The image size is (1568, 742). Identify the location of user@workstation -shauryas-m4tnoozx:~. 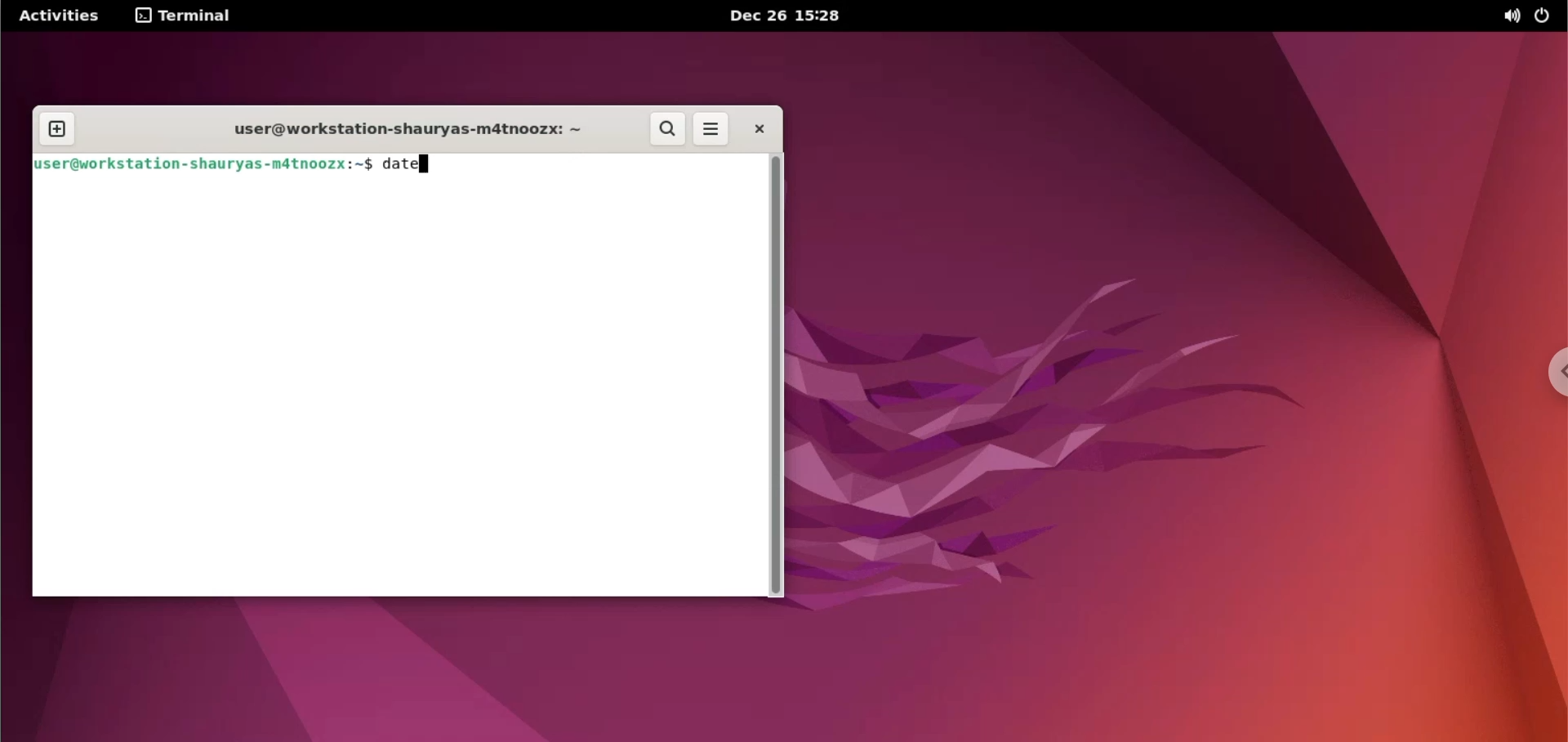
(398, 132).